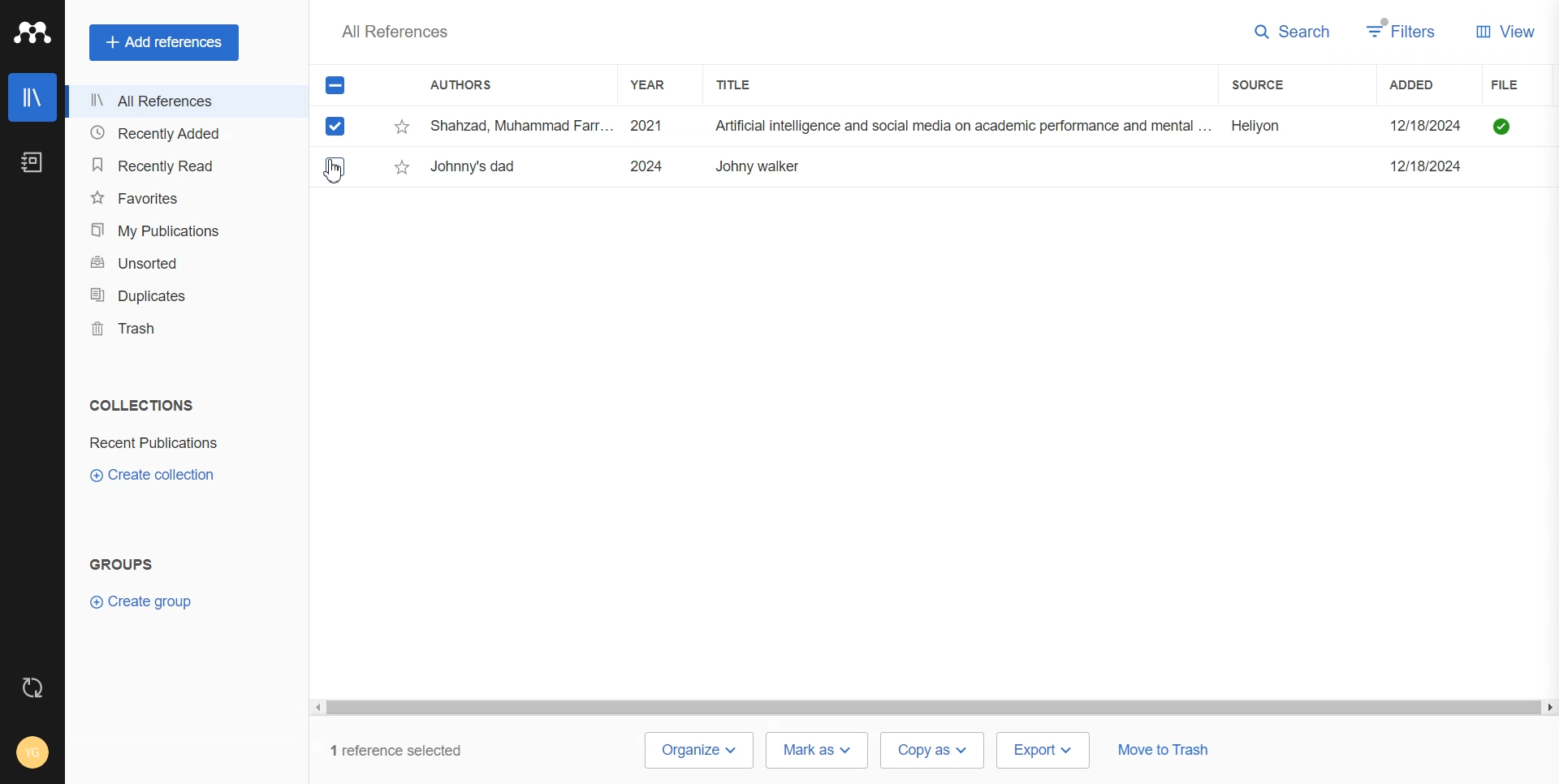 The width and height of the screenshot is (1559, 784). Describe the element at coordinates (138, 405) in the screenshot. I see `text 1` at that location.